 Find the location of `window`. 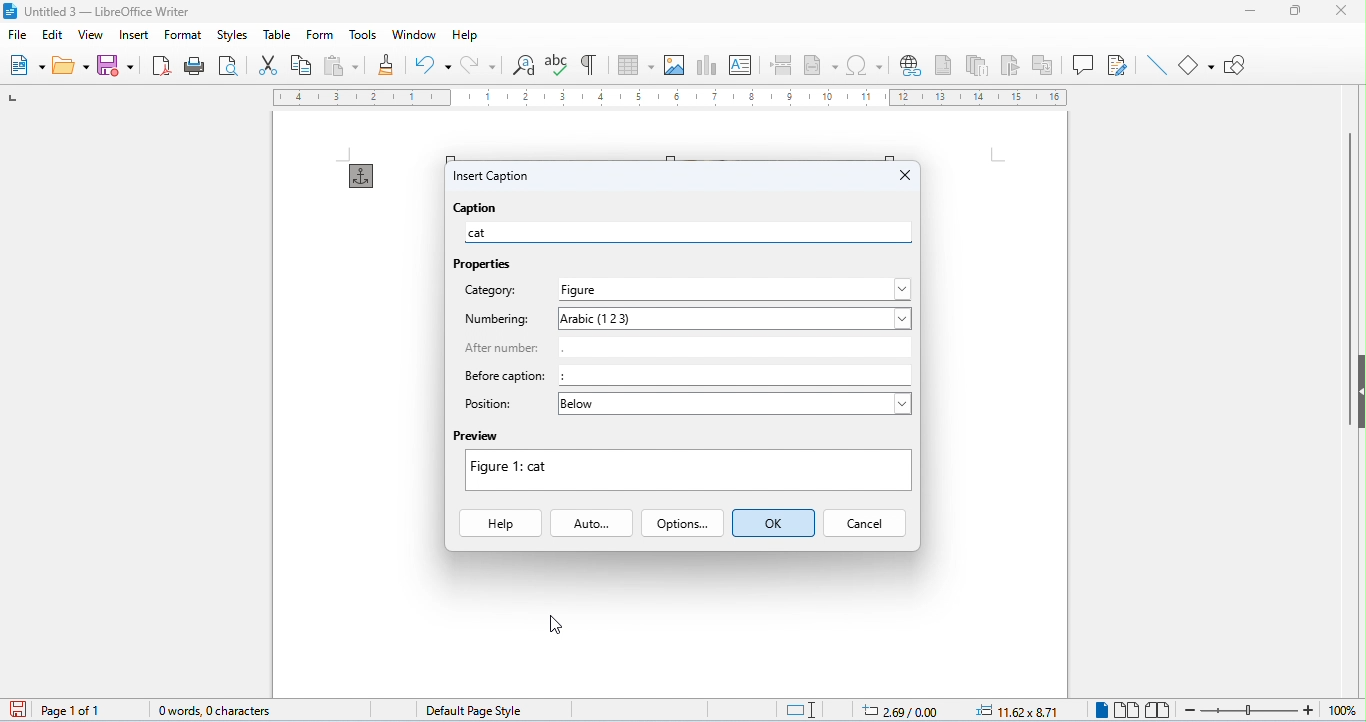

window is located at coordinates (414, 35).